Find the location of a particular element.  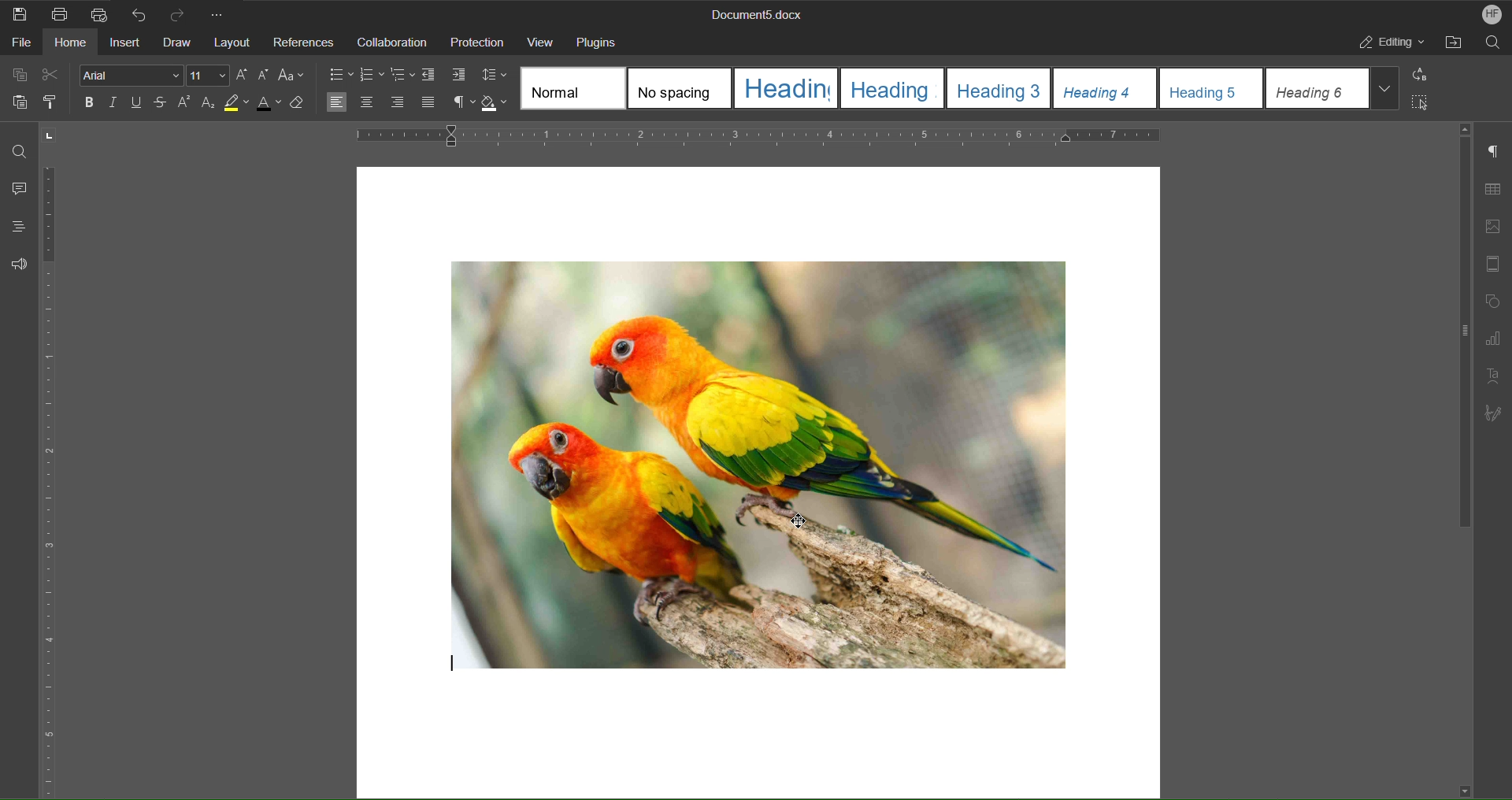

Headings is located at coordinates (13, 227).